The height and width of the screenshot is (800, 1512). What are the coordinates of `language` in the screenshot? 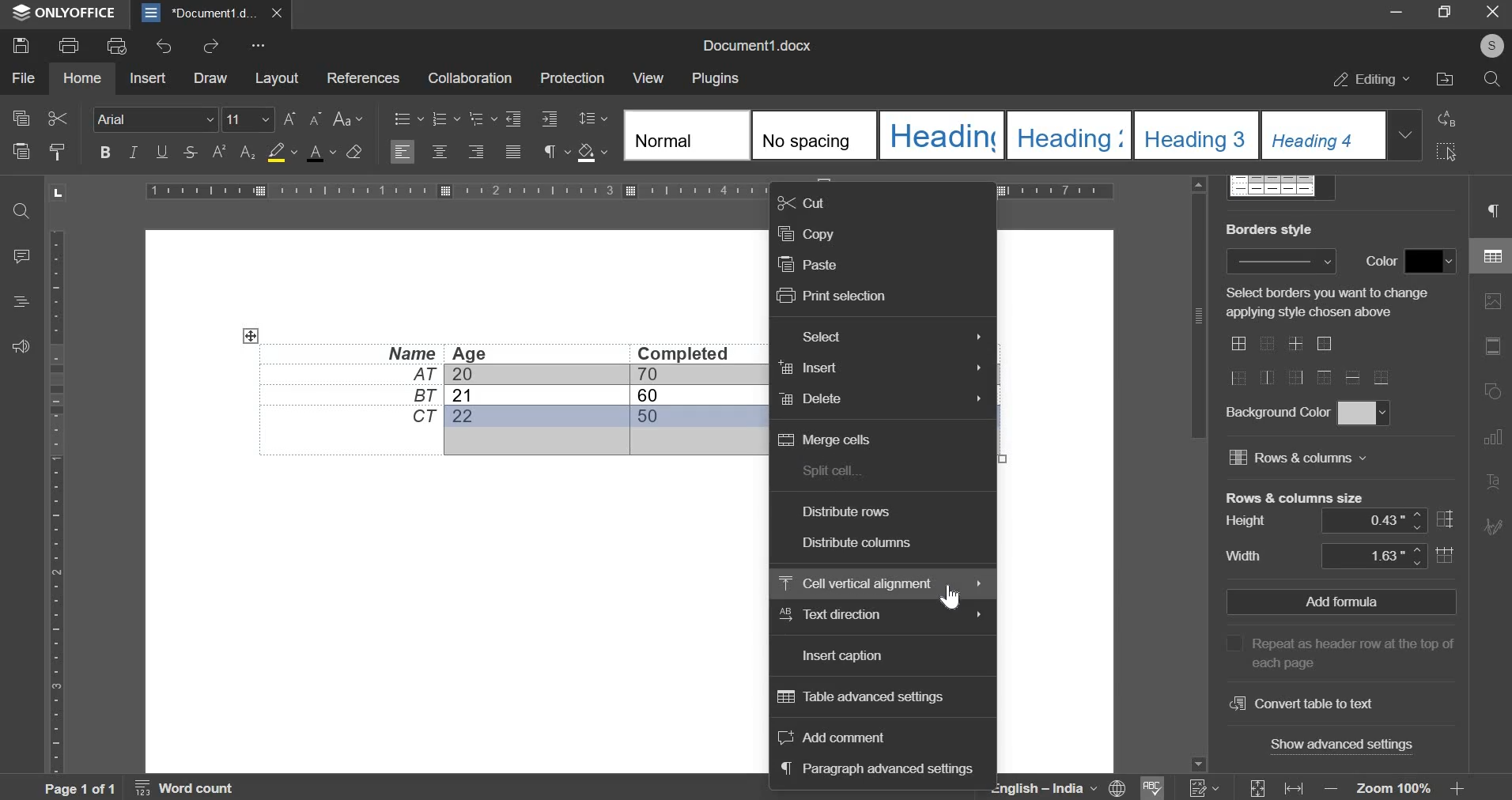 It's located at (1049, 789).